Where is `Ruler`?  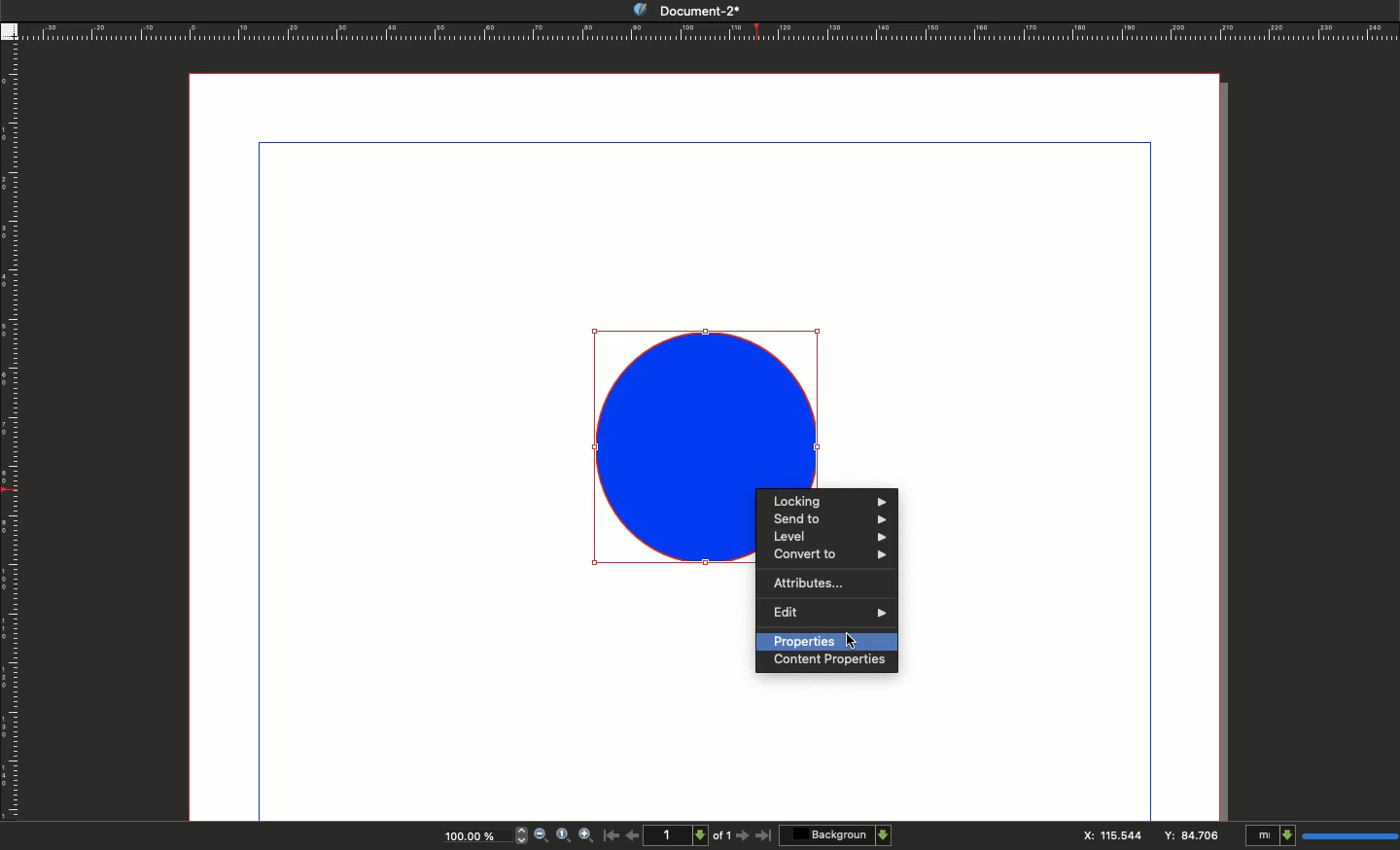
Ruler is located at coordinates (9, 442).